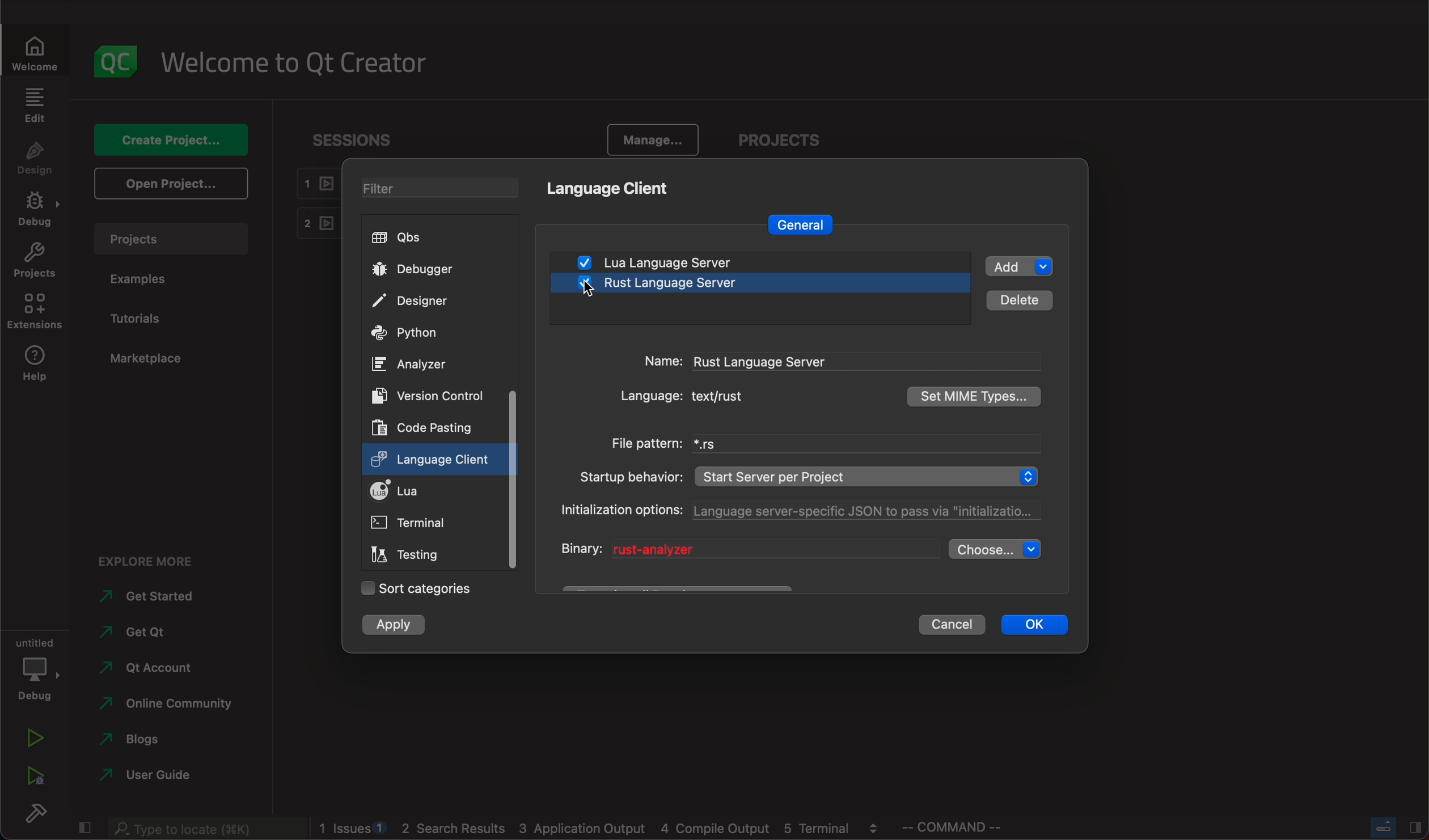  Describe the element at coordinates (514, 480) in the screenshot. I see `scroll bar` at that location.